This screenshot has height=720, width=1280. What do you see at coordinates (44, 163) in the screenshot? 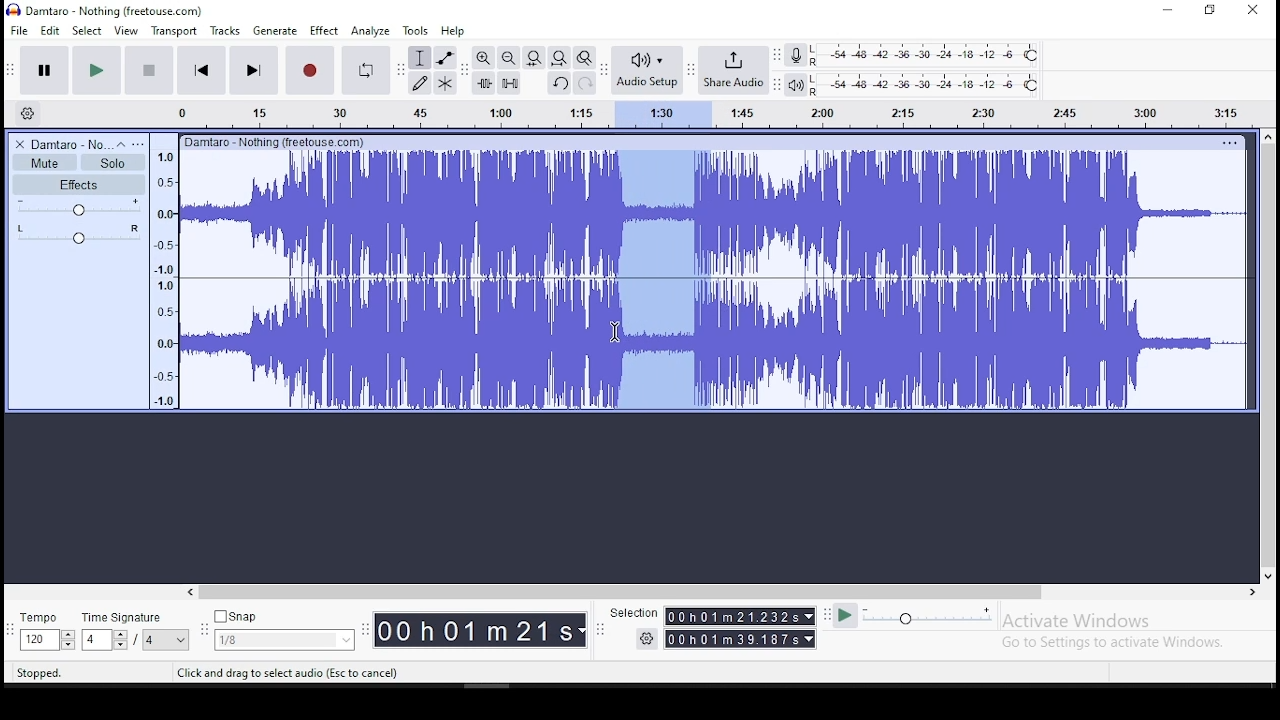
I see `mute` at bounding box center [44, 163].